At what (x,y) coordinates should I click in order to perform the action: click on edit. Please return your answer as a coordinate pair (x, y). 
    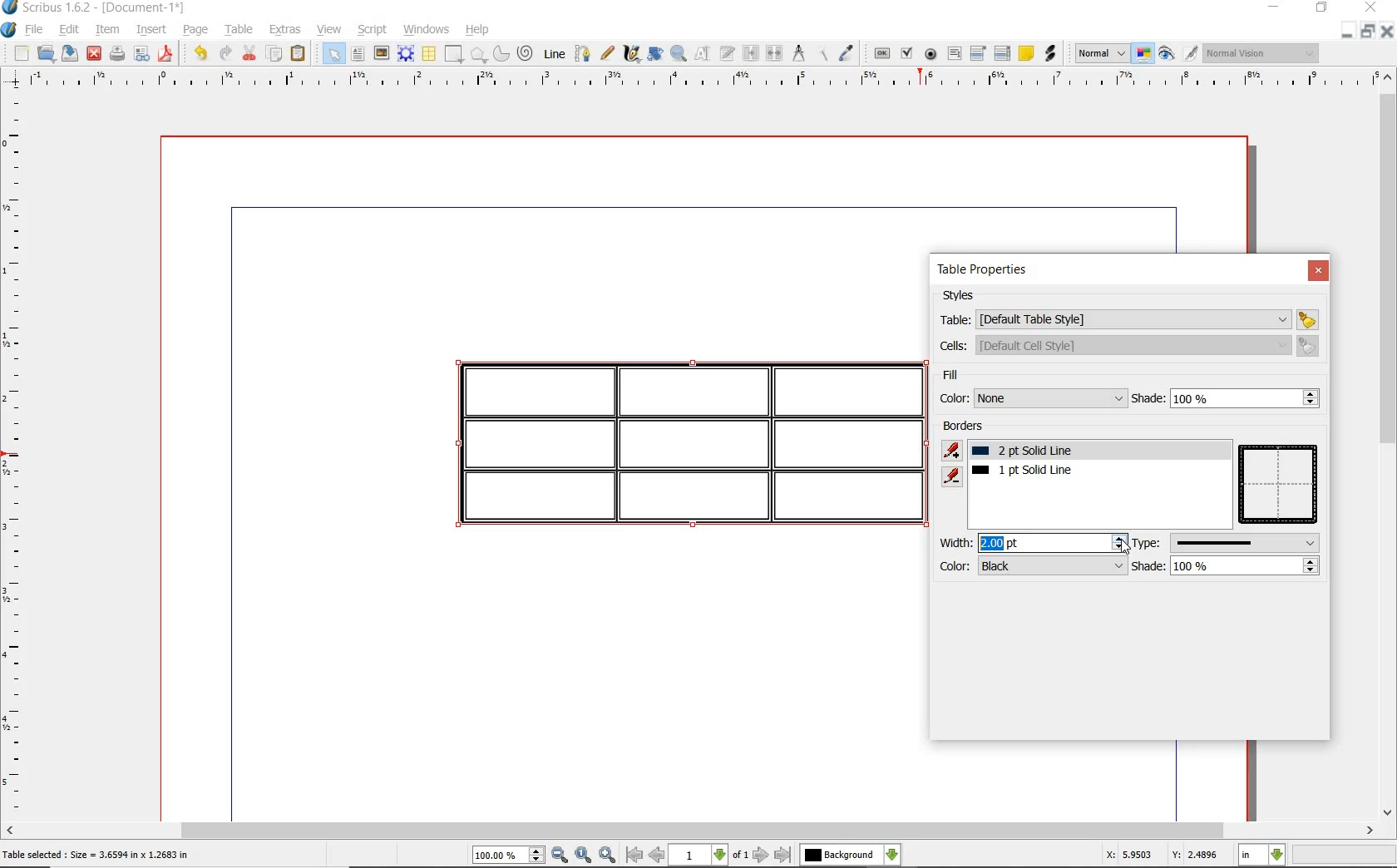
    Looking at the image, I should click on (67, 29).